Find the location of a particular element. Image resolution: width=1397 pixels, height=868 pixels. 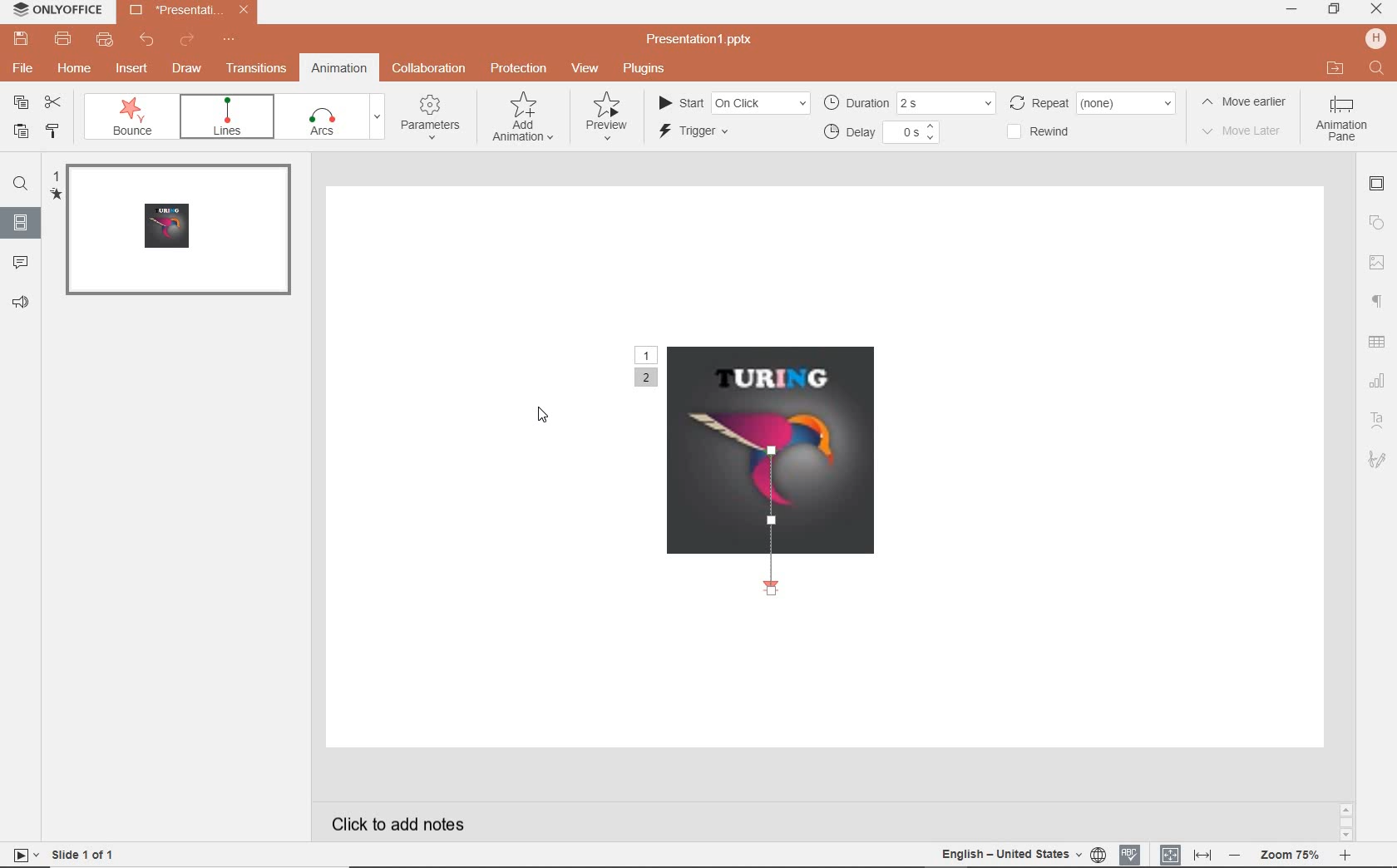

move later is located at coordinates (1244, 132).